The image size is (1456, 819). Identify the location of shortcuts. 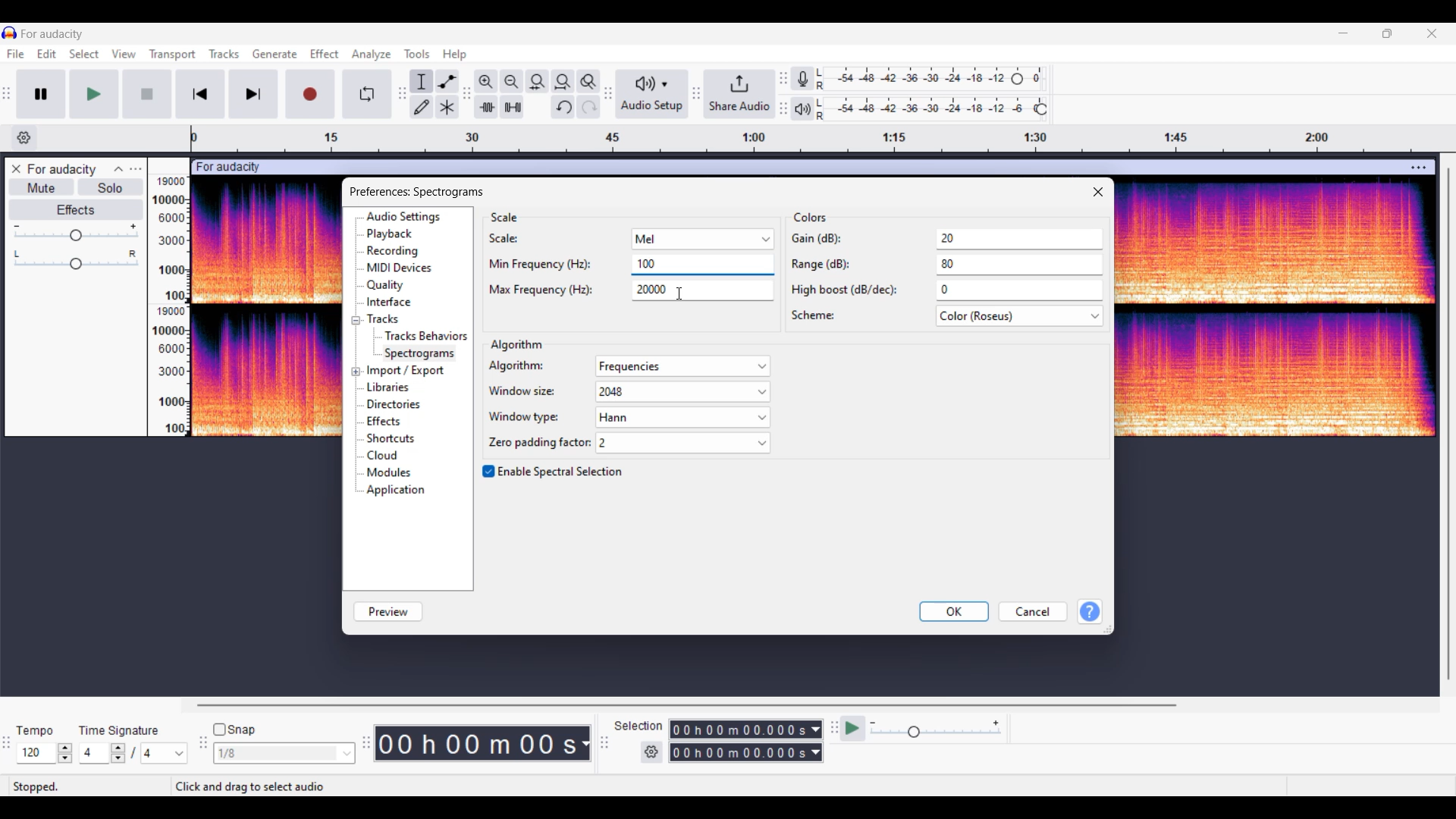
(399, 439).